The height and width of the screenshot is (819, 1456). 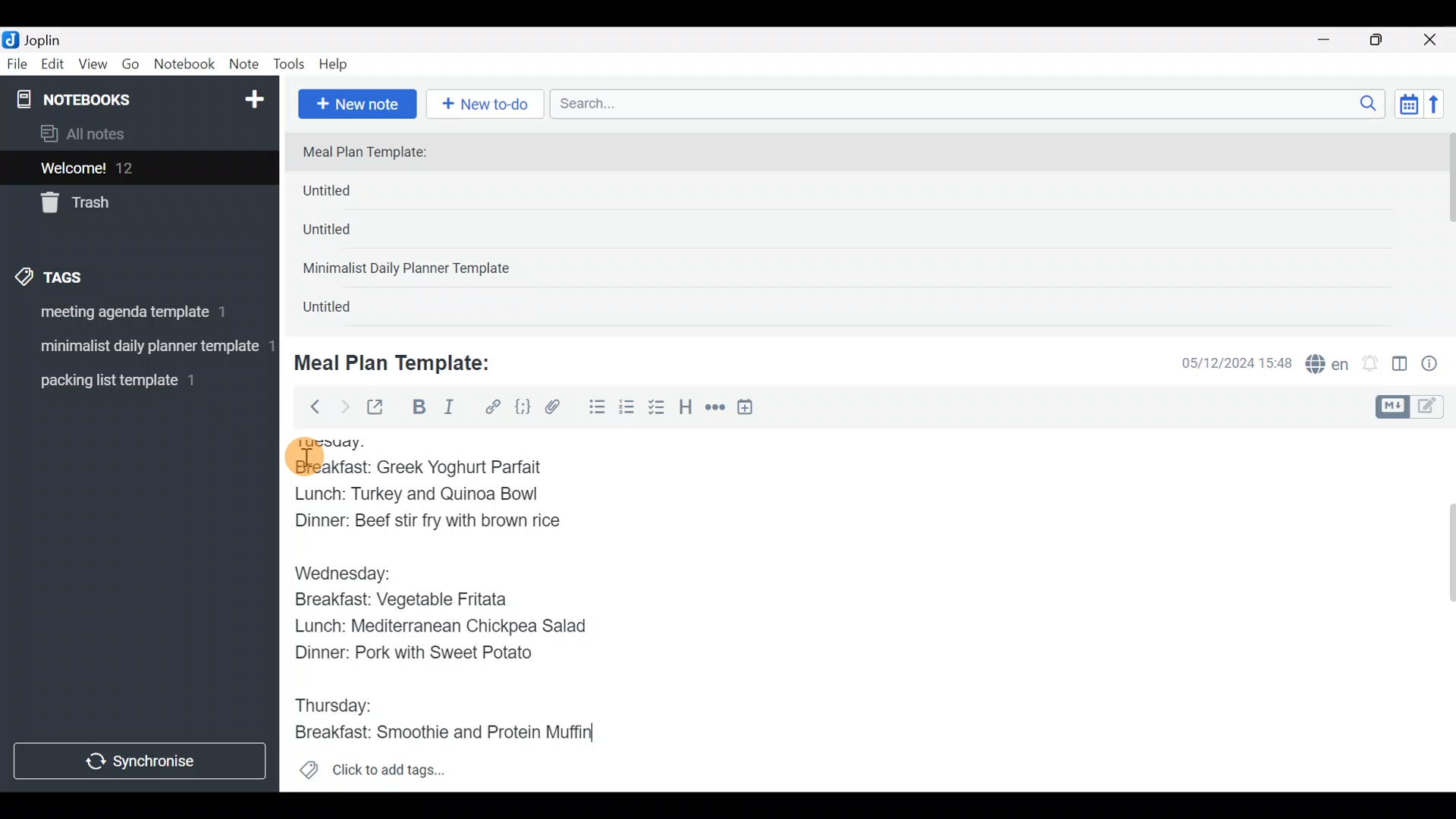 I want to click on Dinner: Pork with Sweet Potato, so click(x=431, y=654).